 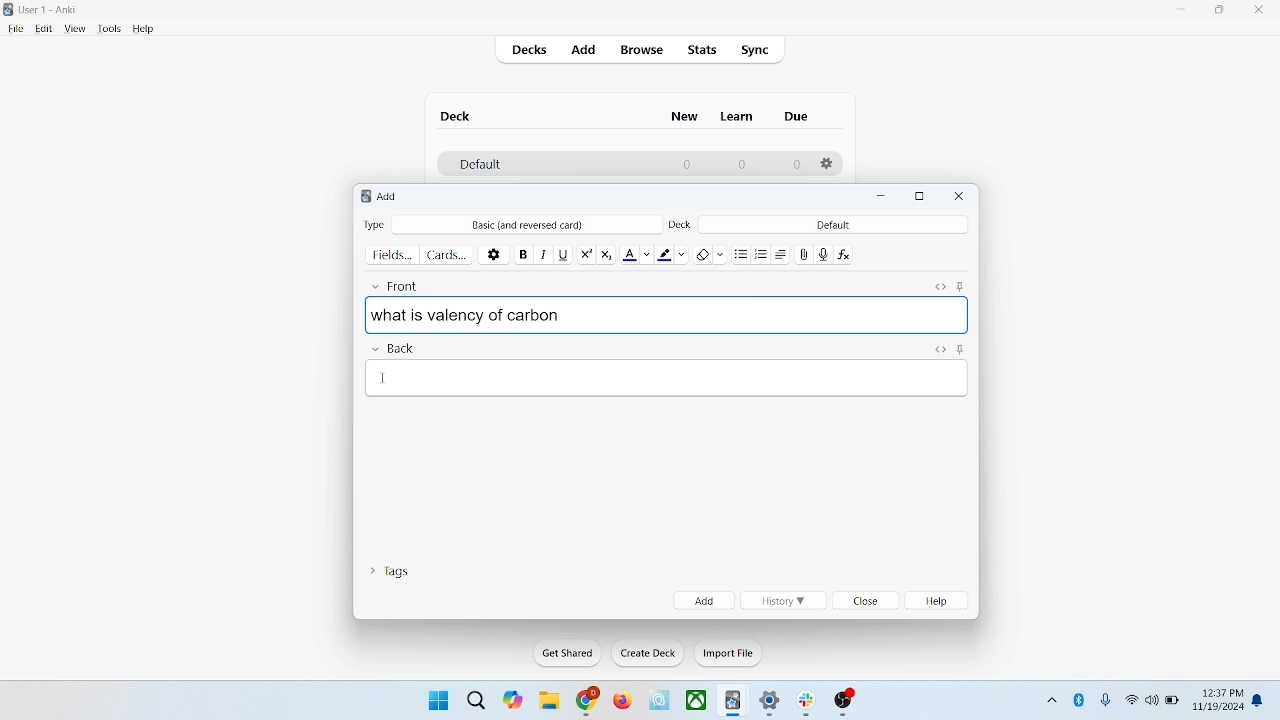 I want to click on close, so click(x=960, y=196).